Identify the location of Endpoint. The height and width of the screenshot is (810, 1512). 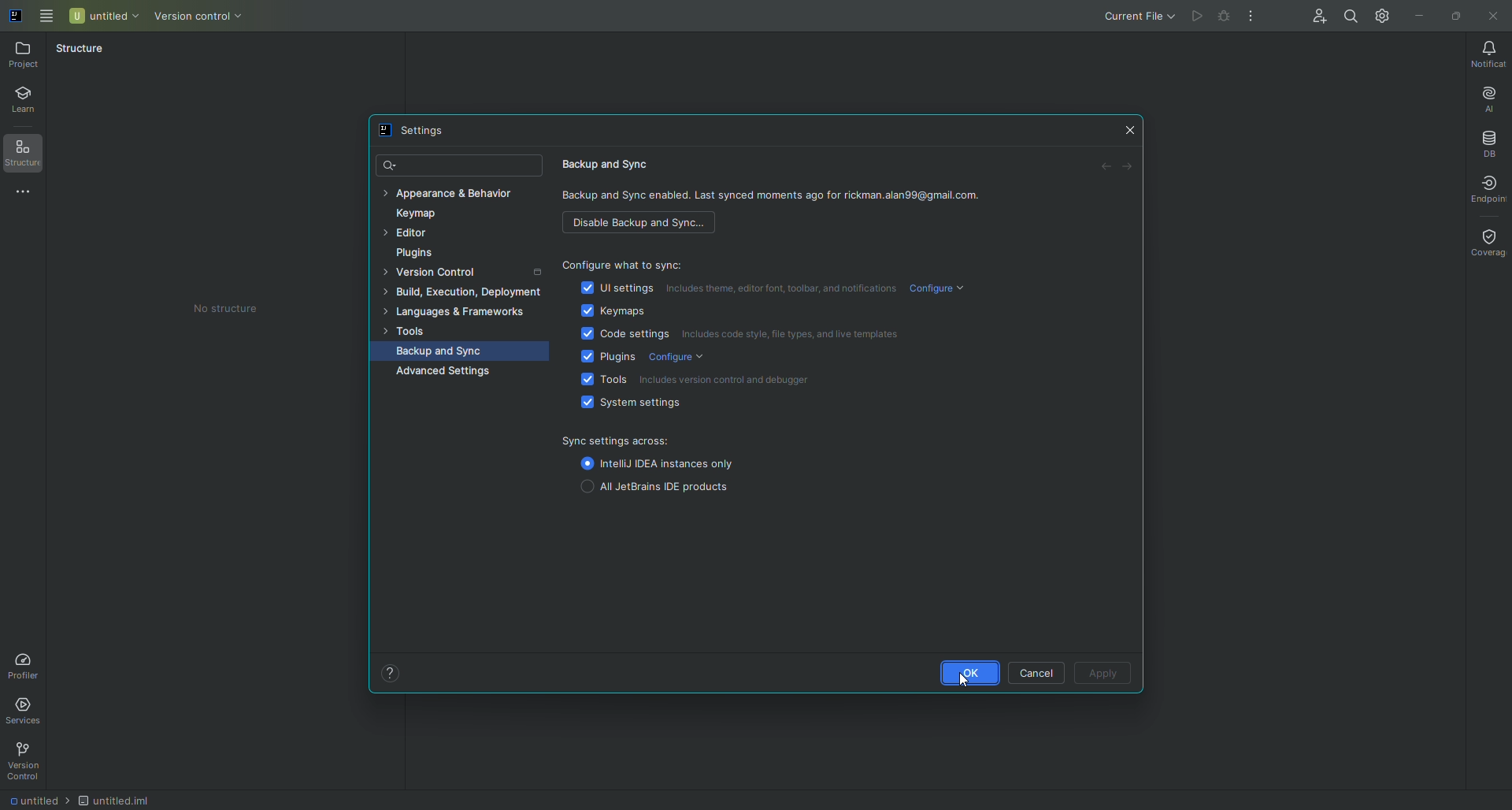
(1482, 188).